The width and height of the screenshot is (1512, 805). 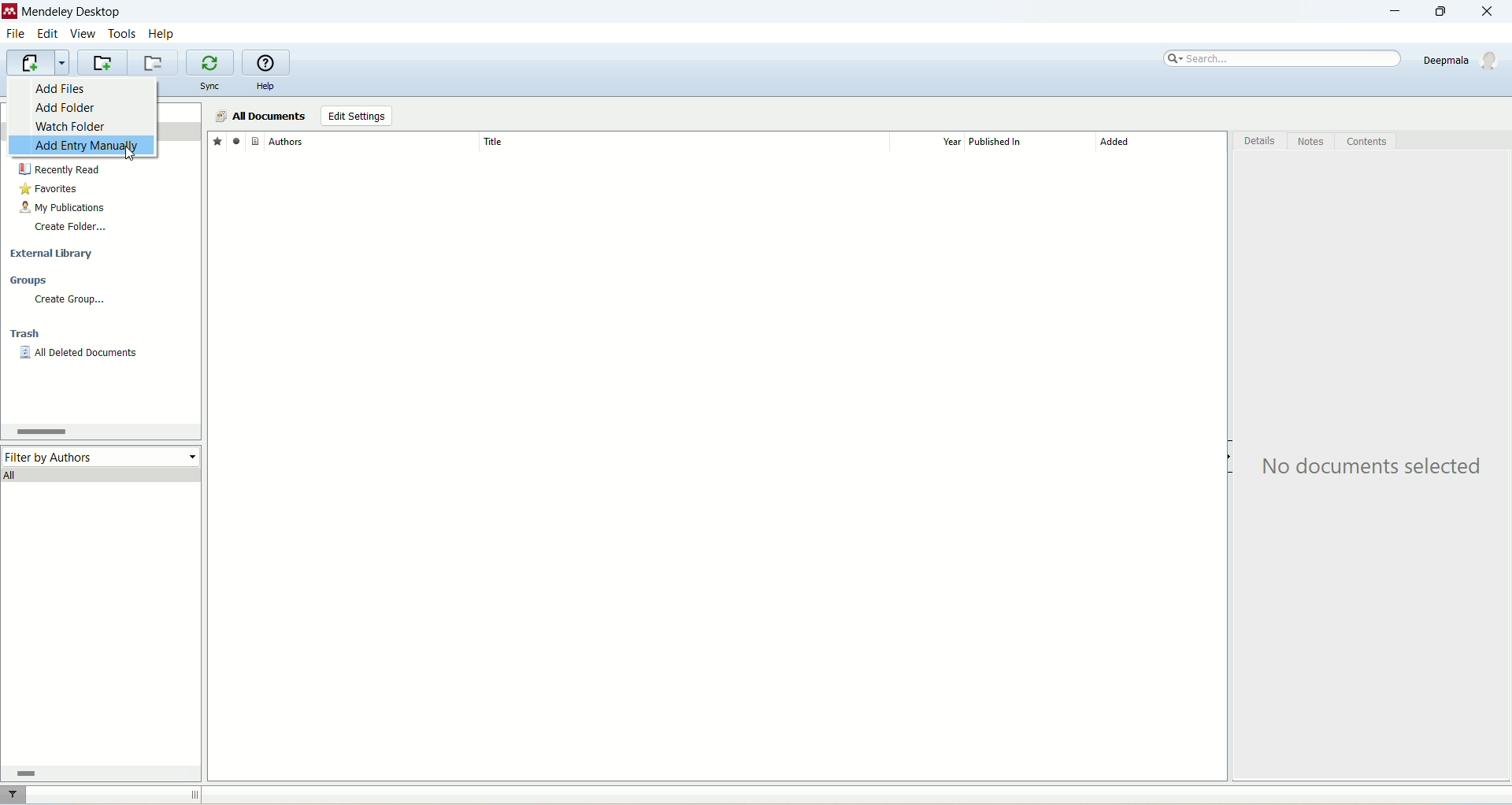 I want to click on notes, so click(x=1313, y=142).